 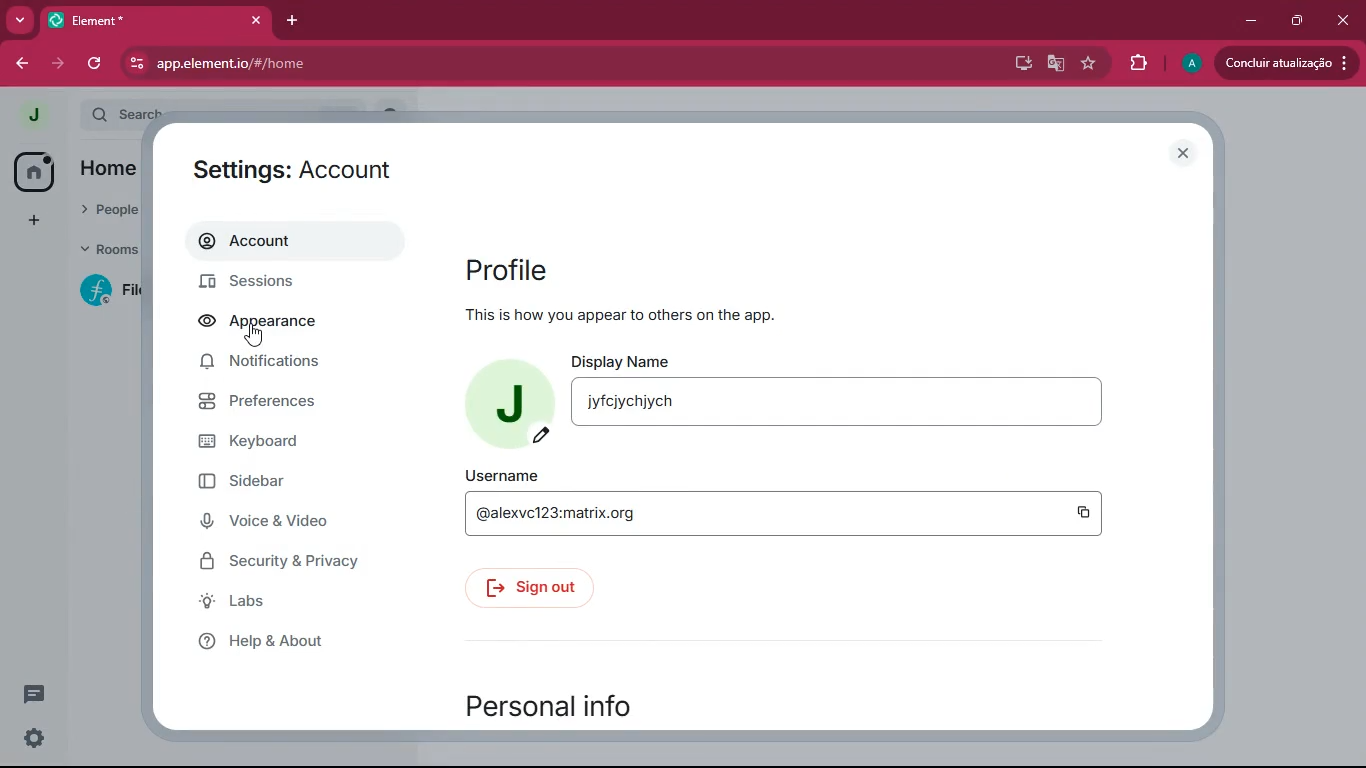 What do you see at coordinates (277, 444) in the screenshot?
I see `keyboard` at bounding box center [277, 444].